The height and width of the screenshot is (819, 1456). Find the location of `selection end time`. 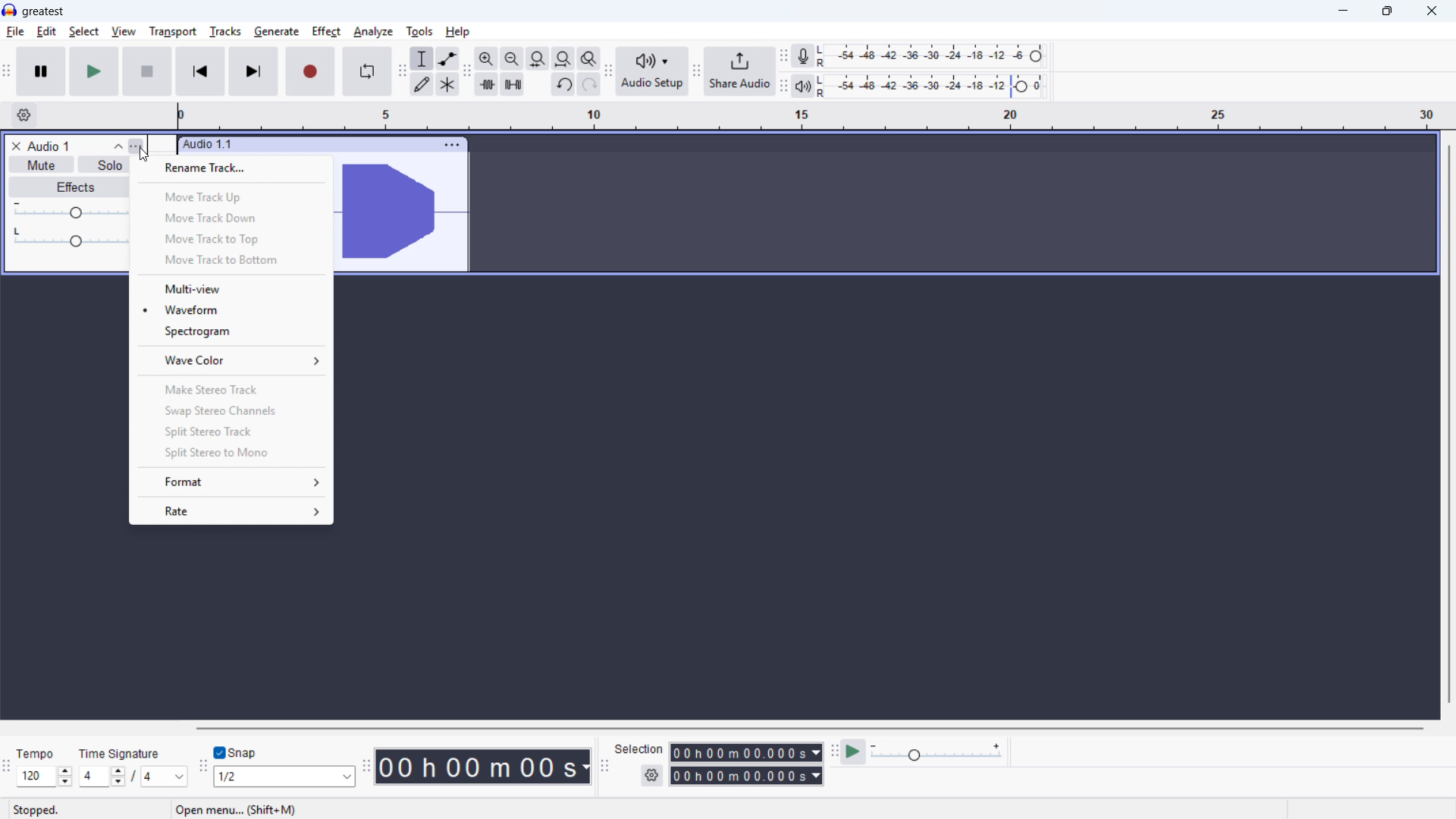

selection end time is located at coordinates (747, 777).